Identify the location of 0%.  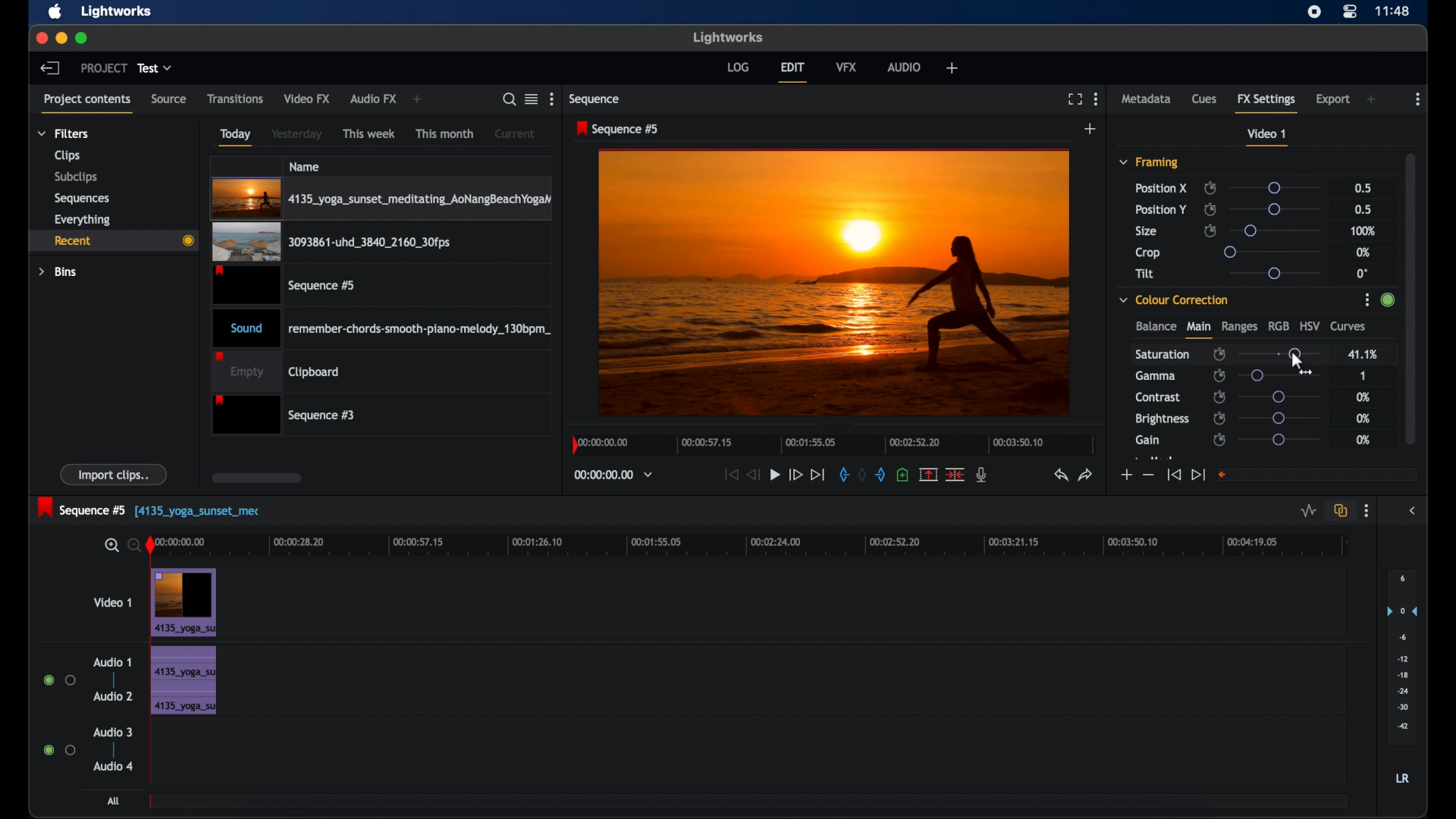
(1364, 252).